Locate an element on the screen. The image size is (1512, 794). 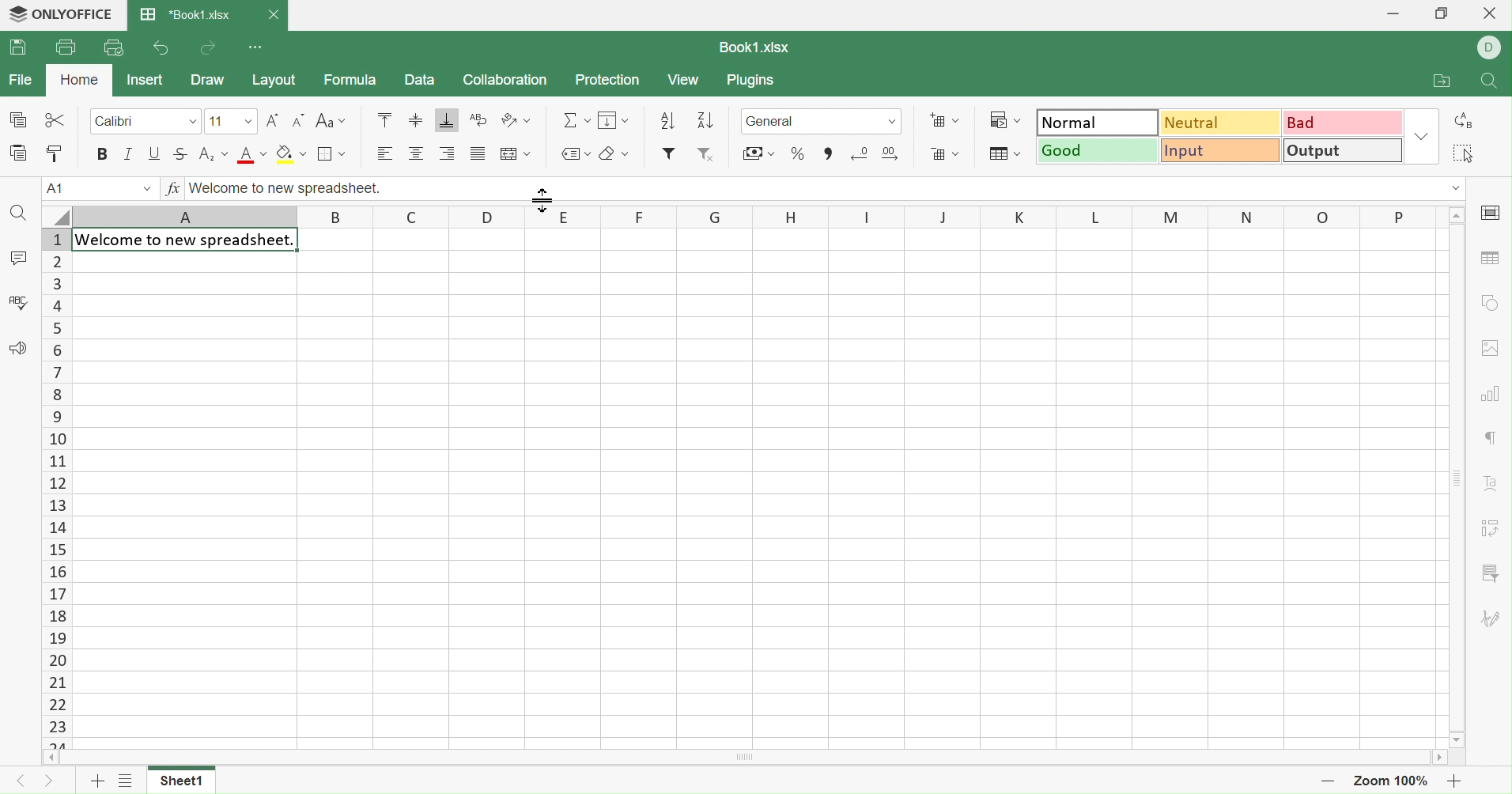
Clear is located at coordinates (615, 153).